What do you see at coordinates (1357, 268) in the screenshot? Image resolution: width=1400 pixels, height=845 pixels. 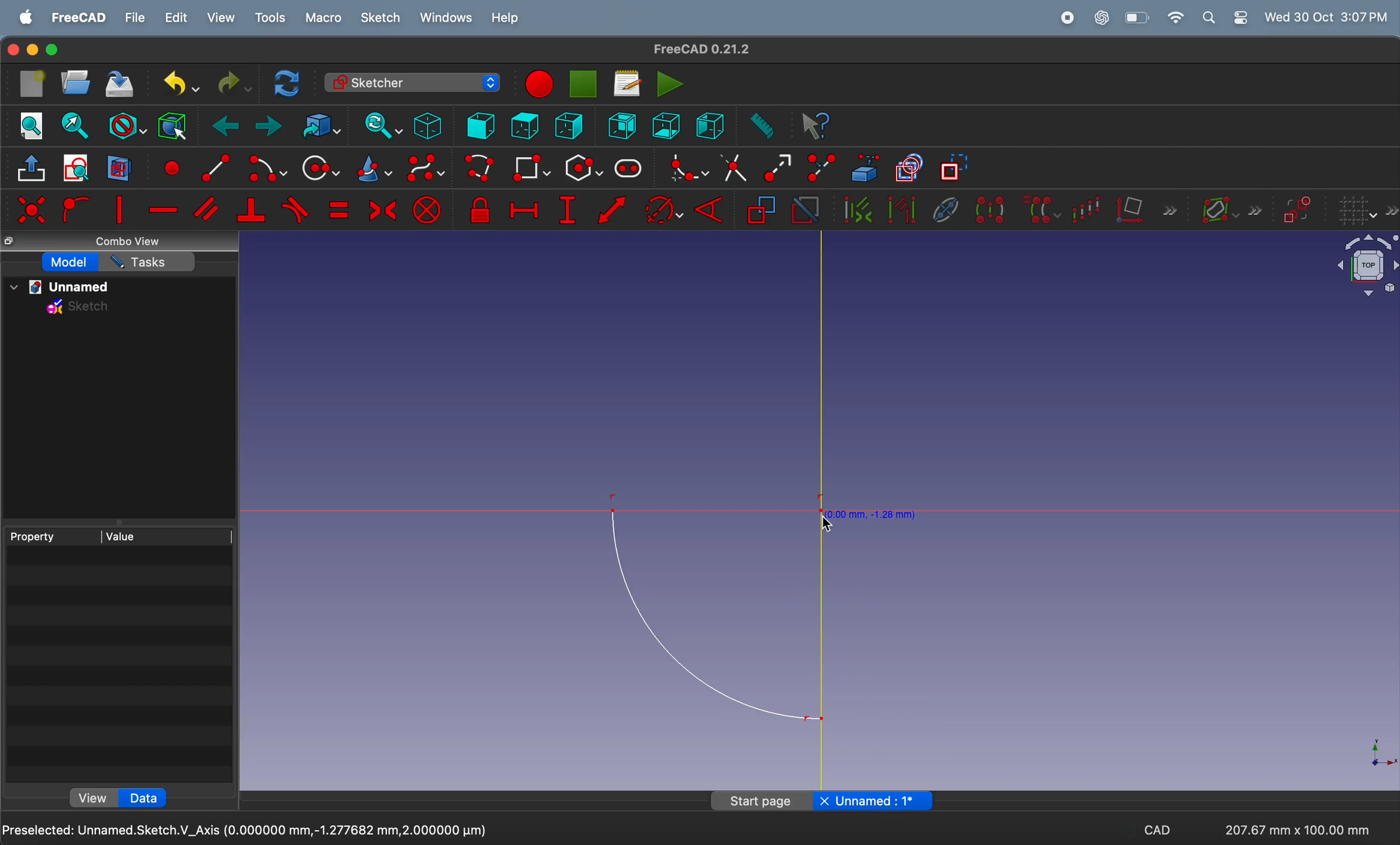 I see `object view` at bounding box center [1357, 268].